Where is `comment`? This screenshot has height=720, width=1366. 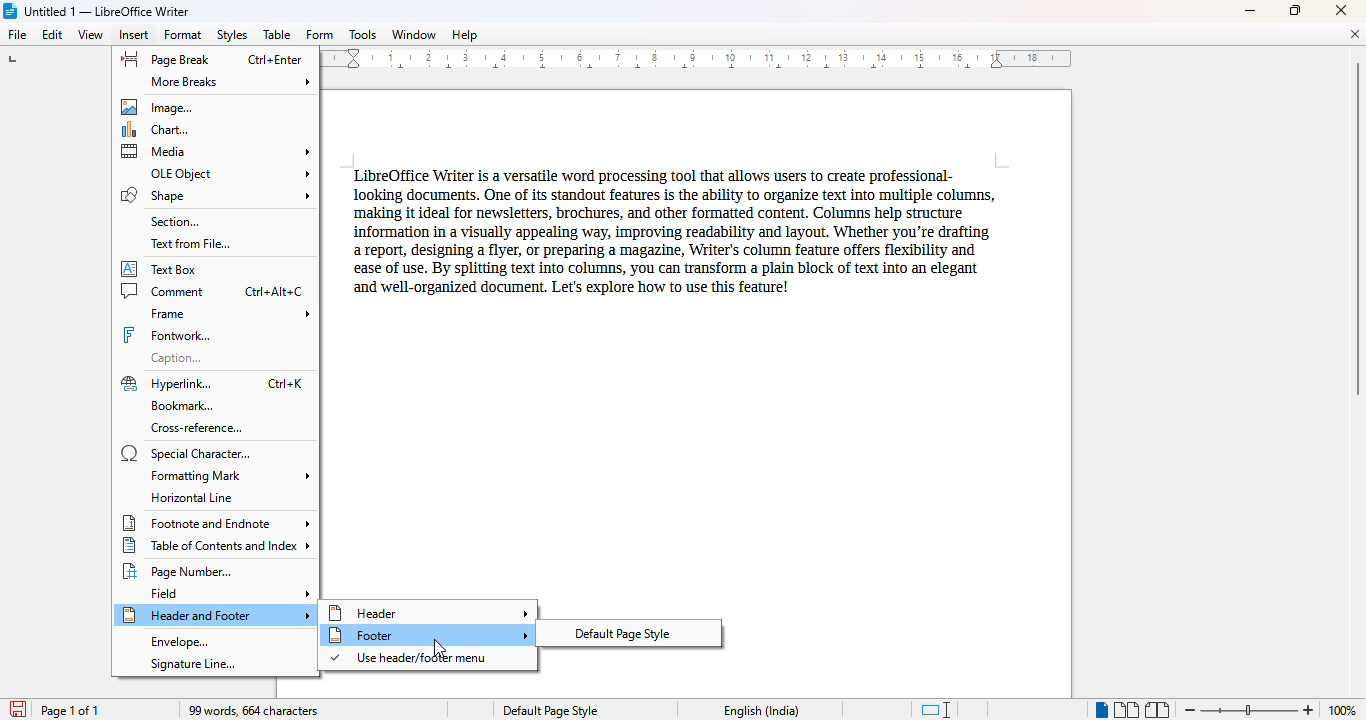
comment is located at coordinates (212, 290).